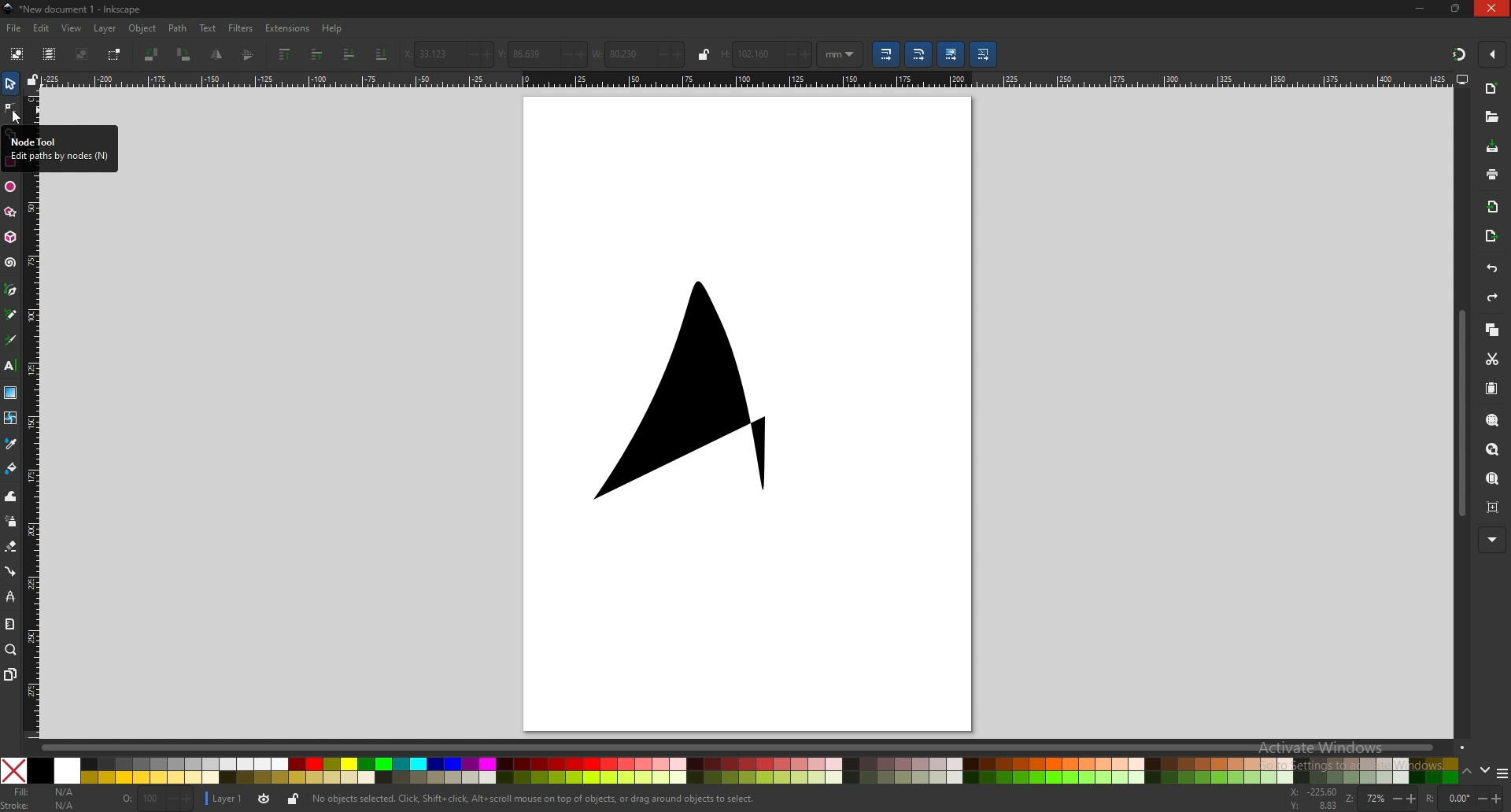 Image resolution: width=1511 pixels, height=812 pixels. I want to click on zoom, so click(11, 650).